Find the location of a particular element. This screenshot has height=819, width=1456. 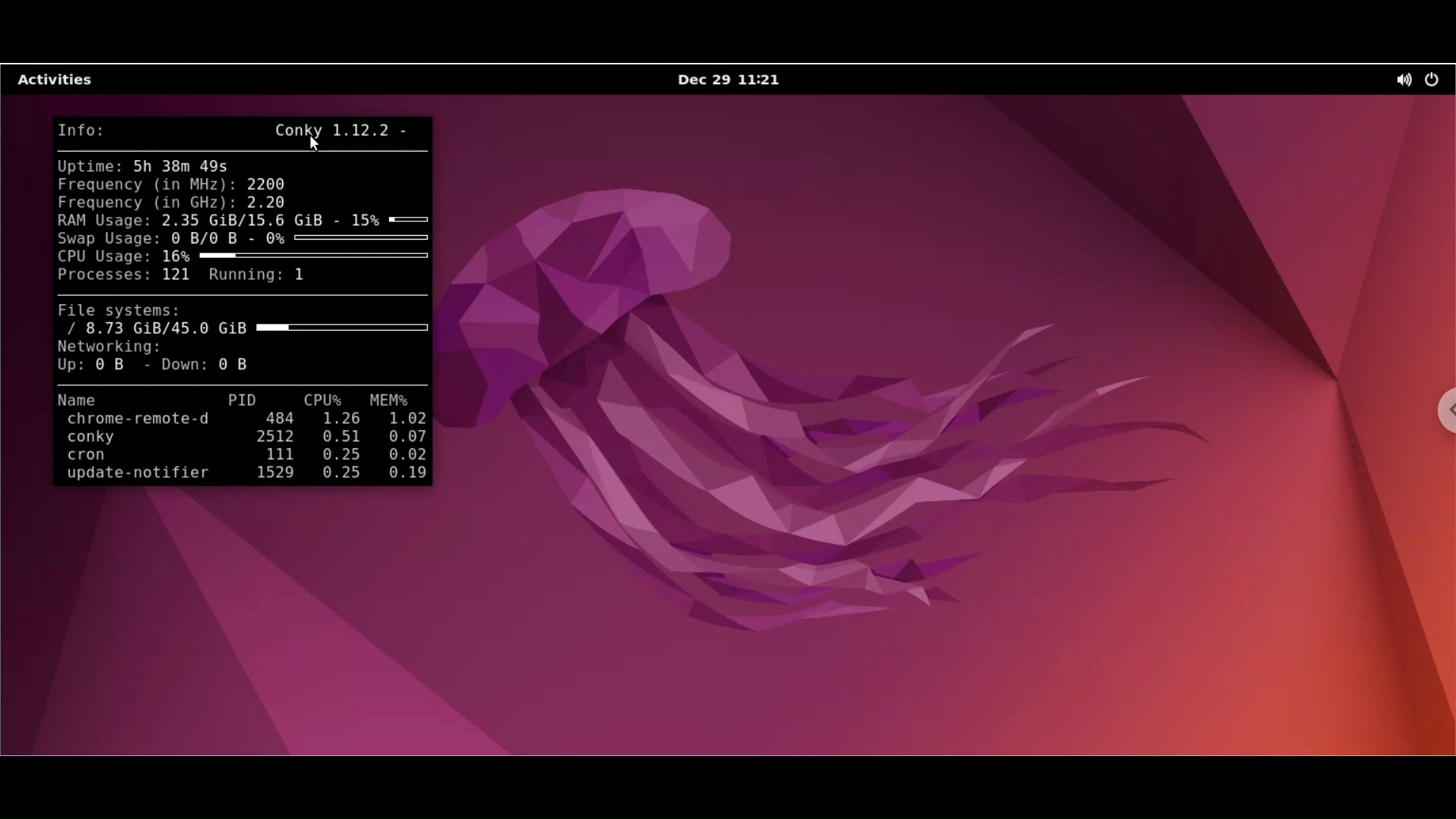

down: is located at coordinates (179, 366).